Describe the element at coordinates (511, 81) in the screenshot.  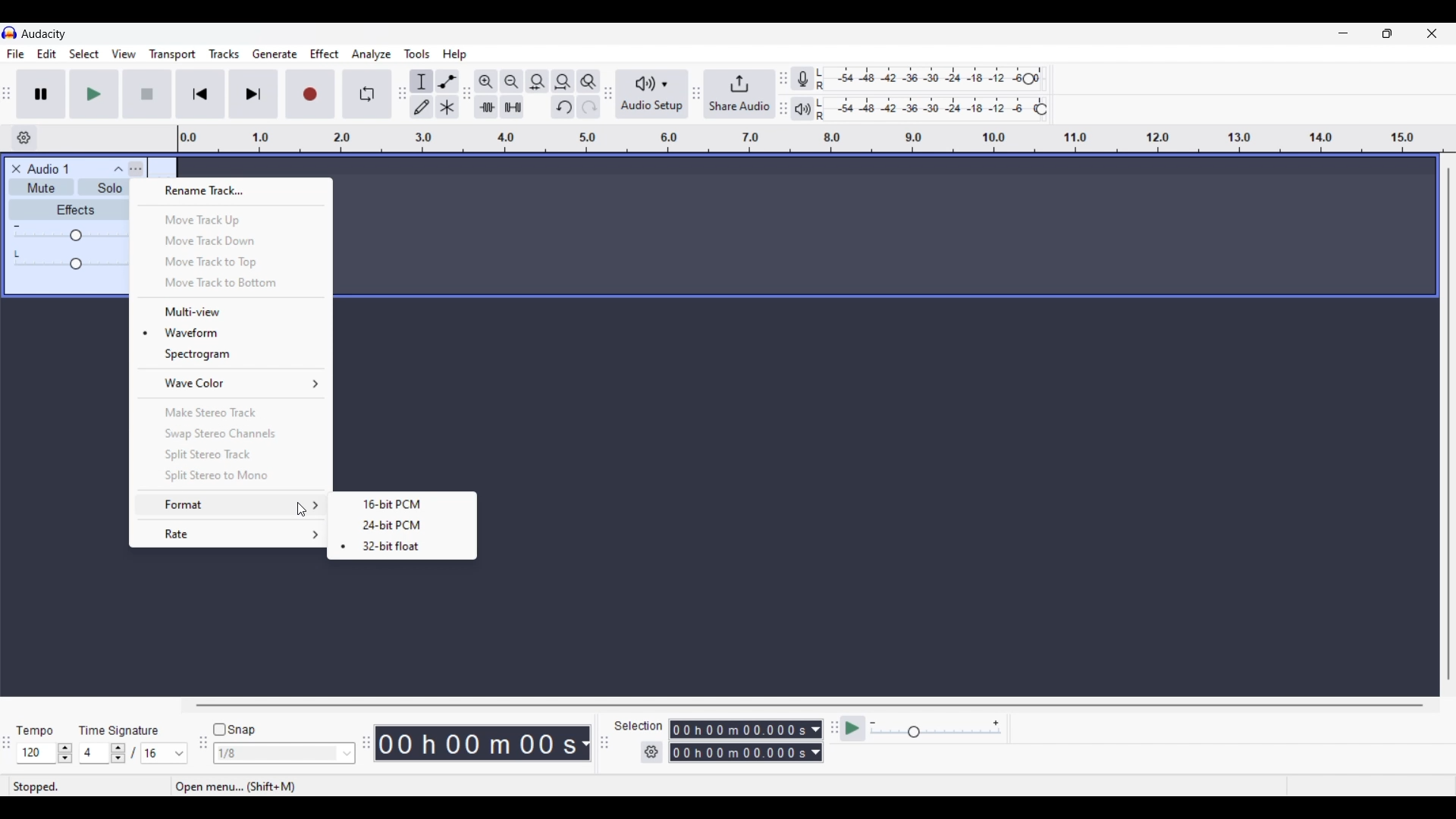
I see `Zoom out` at that location.